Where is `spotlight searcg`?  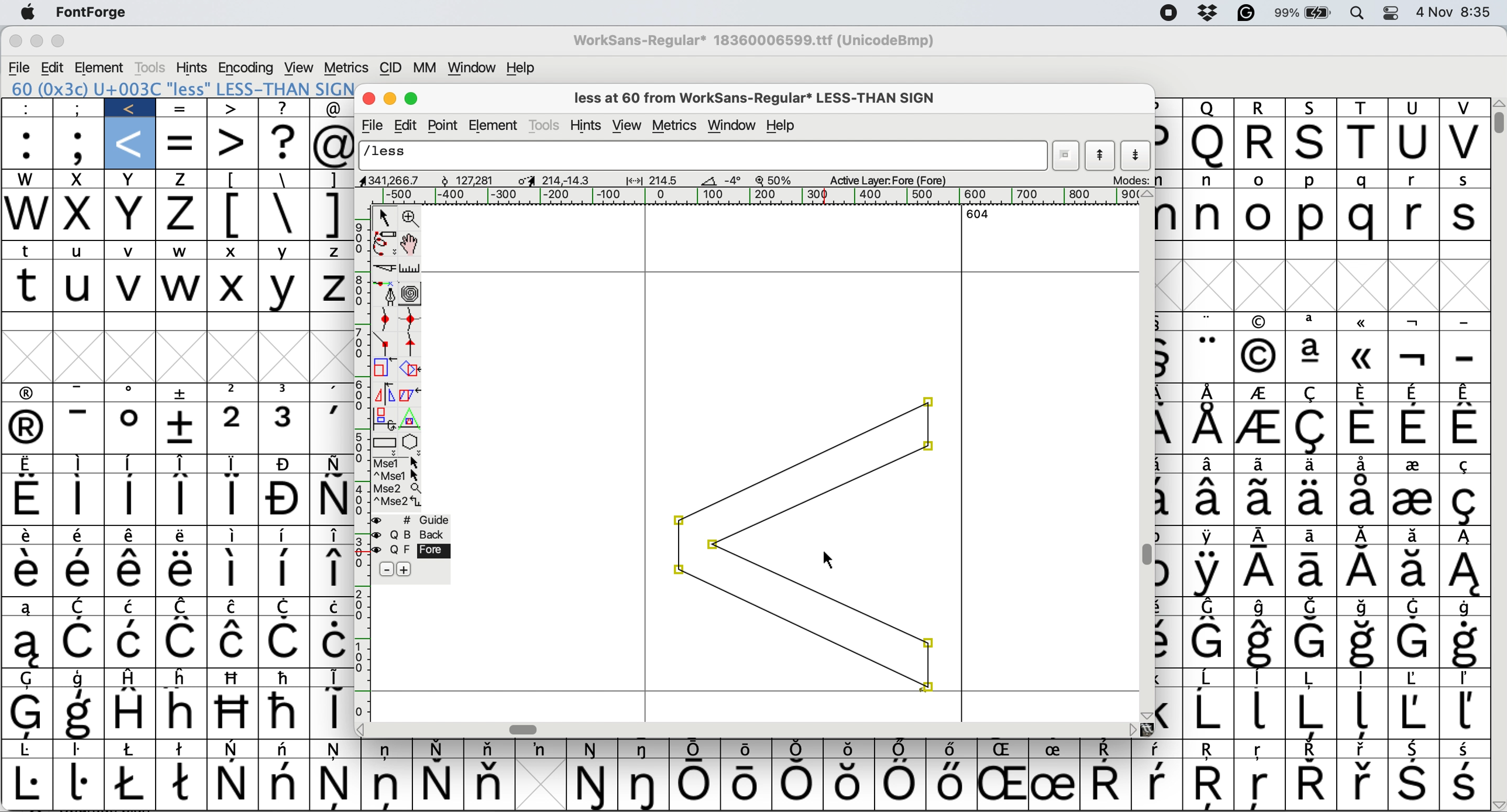 spotlight searcg is located at coordinates (1359, 15).